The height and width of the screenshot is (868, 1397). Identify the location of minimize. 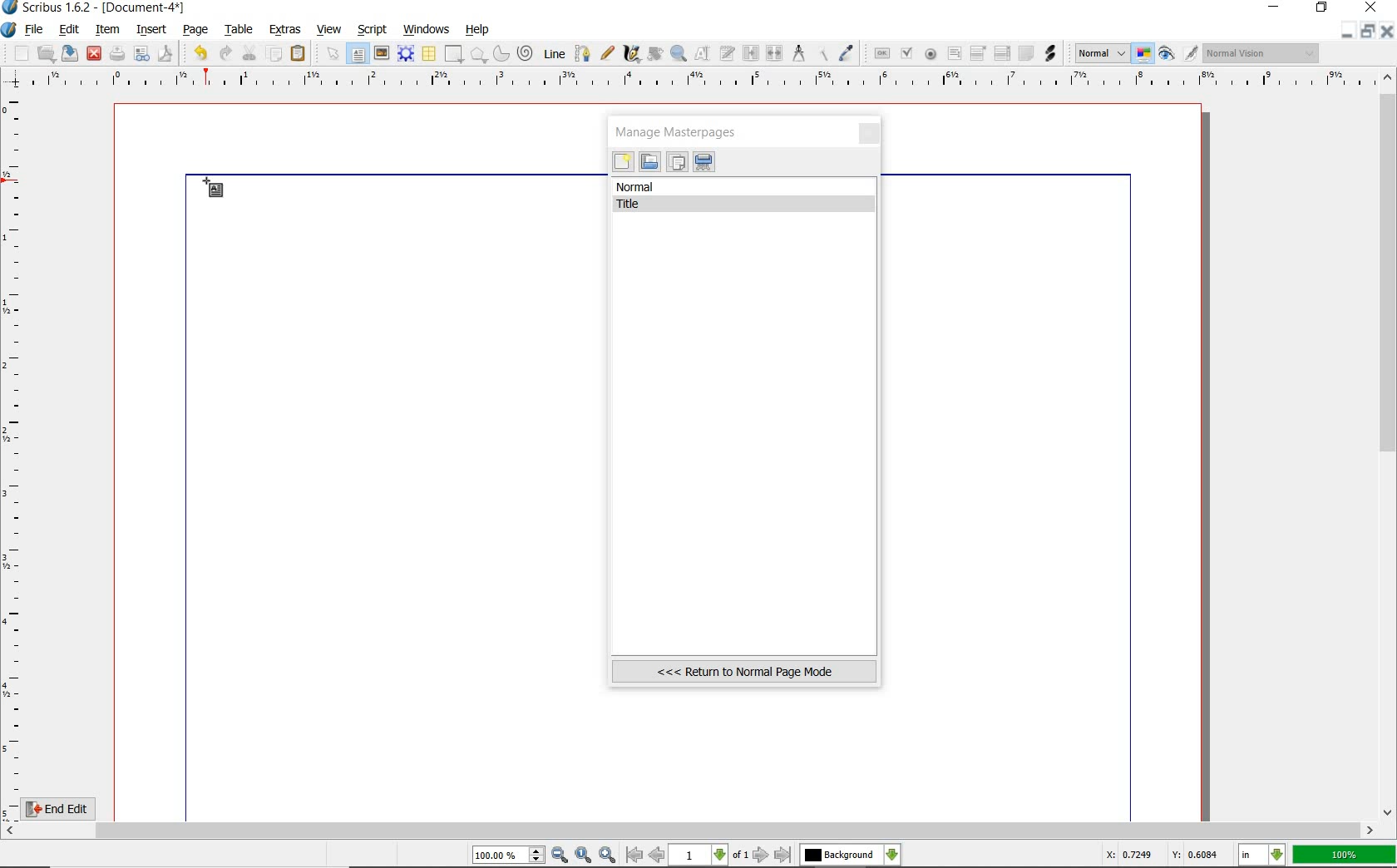
(1349, 31).